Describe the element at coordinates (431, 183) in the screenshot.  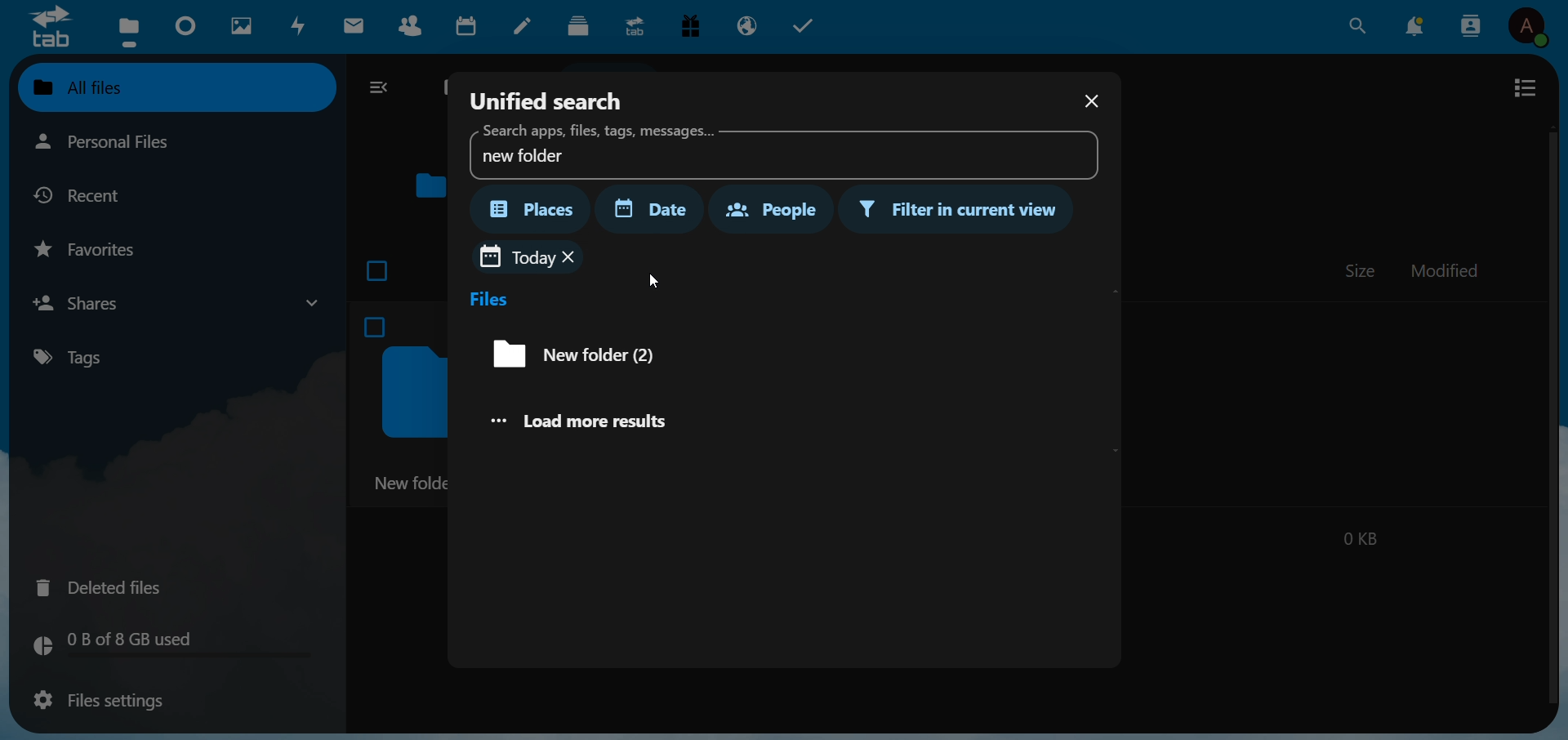
I see `folder icon` at that location.